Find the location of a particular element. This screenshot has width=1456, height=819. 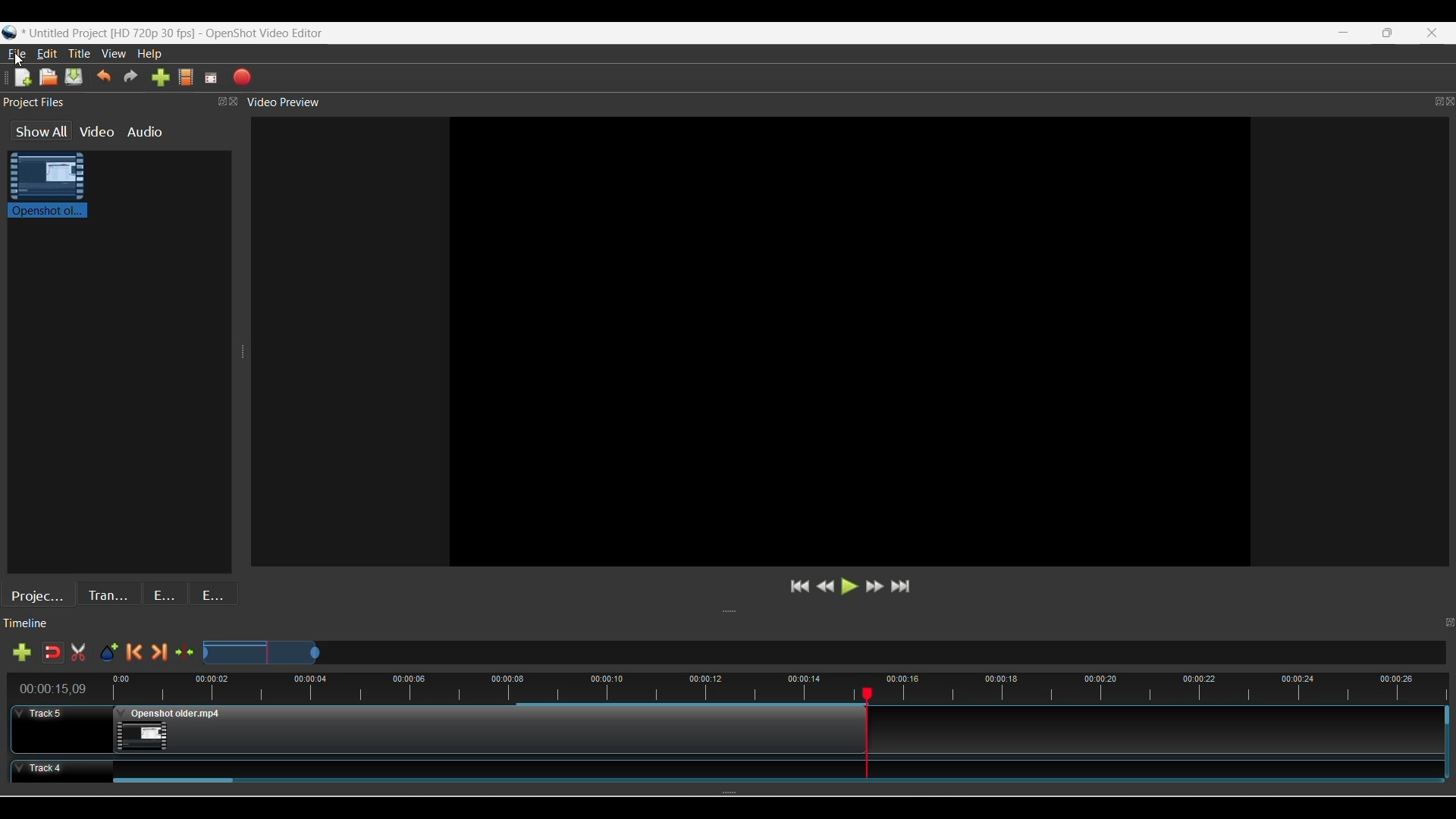

Fastforward is located at coordinates (875, 586).